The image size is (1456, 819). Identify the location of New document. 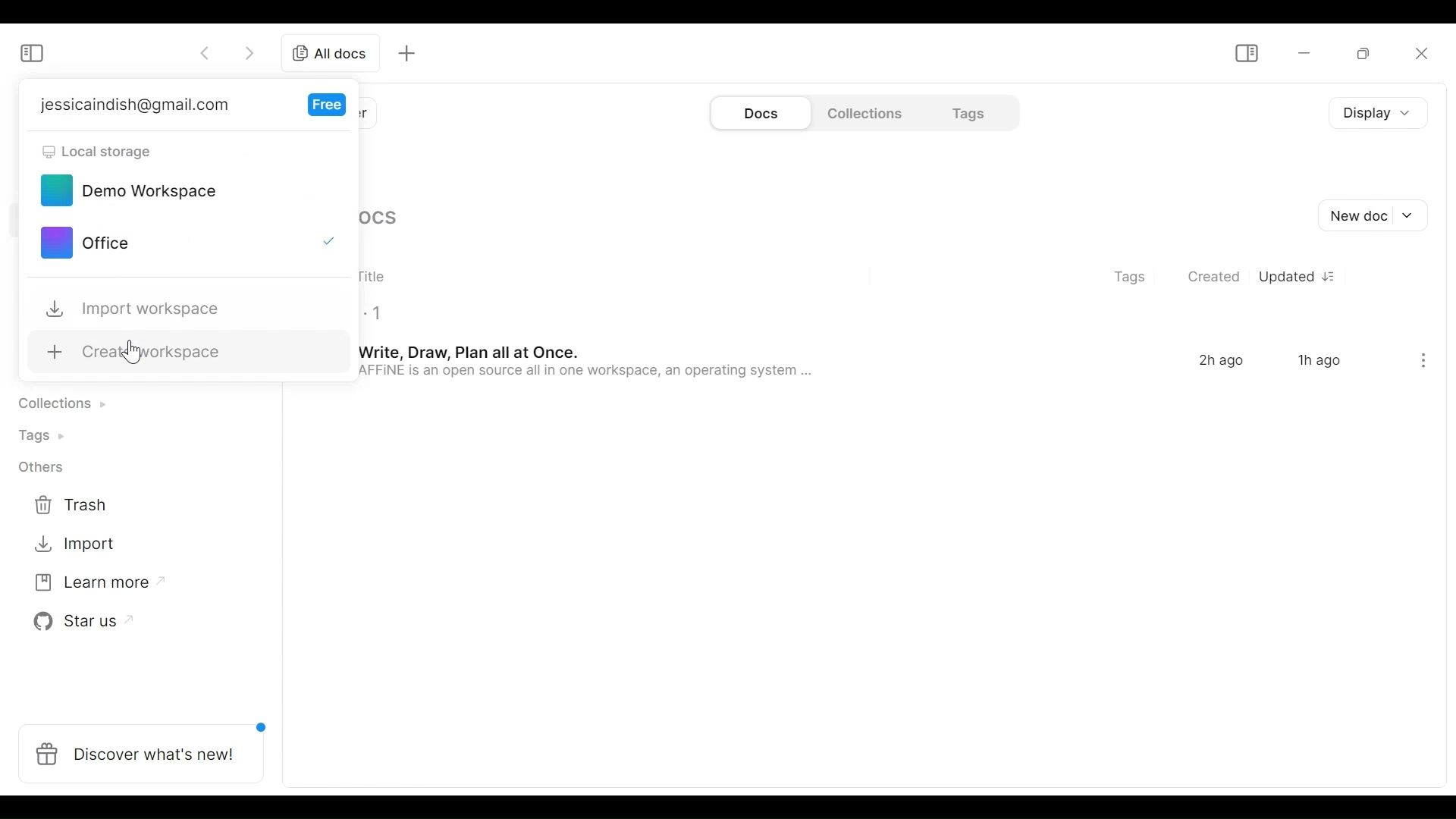
(1371, 215).